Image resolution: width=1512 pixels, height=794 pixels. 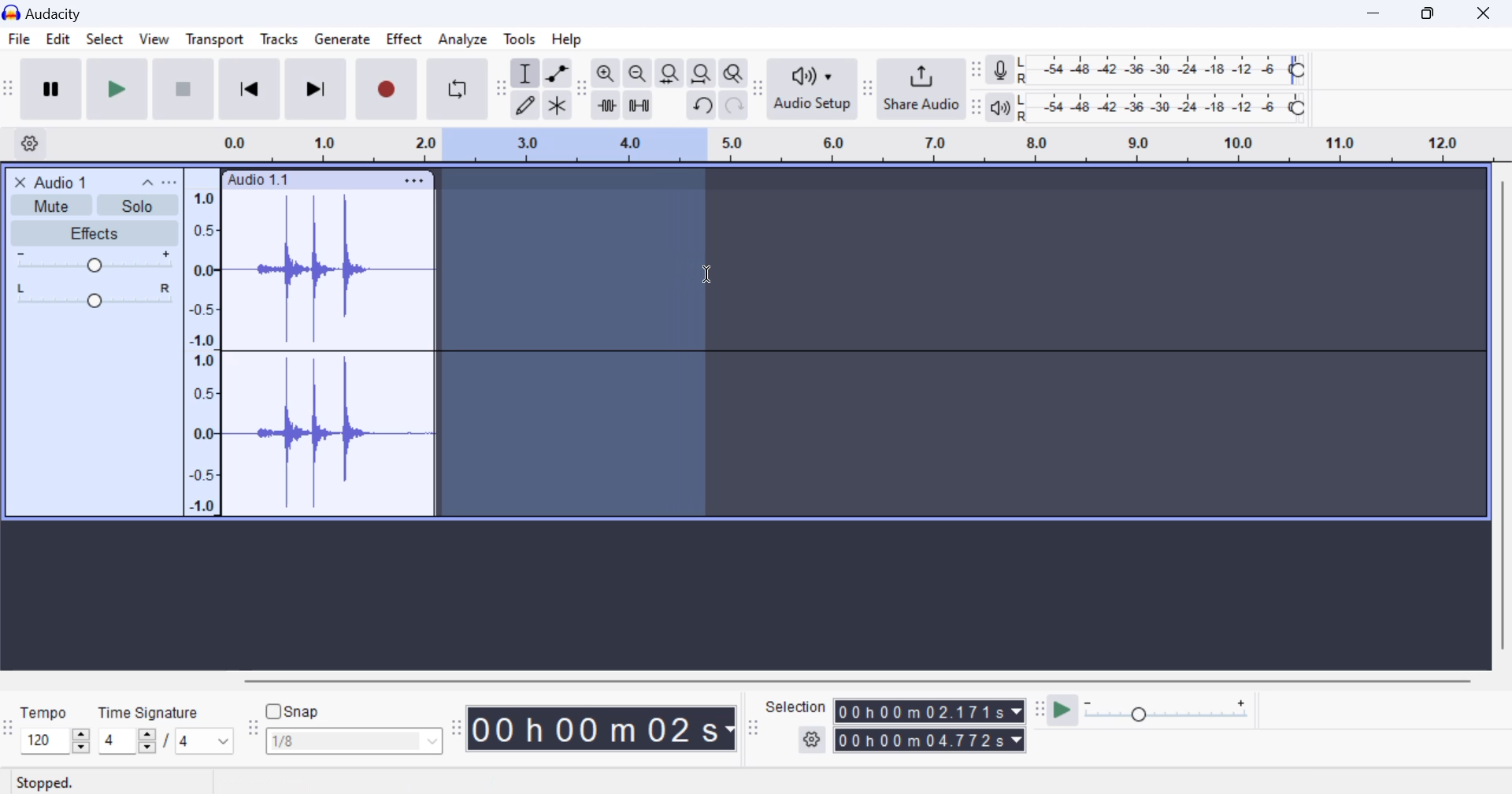 I want to click on increase or decrease time signature, so click(x=127, y=741).